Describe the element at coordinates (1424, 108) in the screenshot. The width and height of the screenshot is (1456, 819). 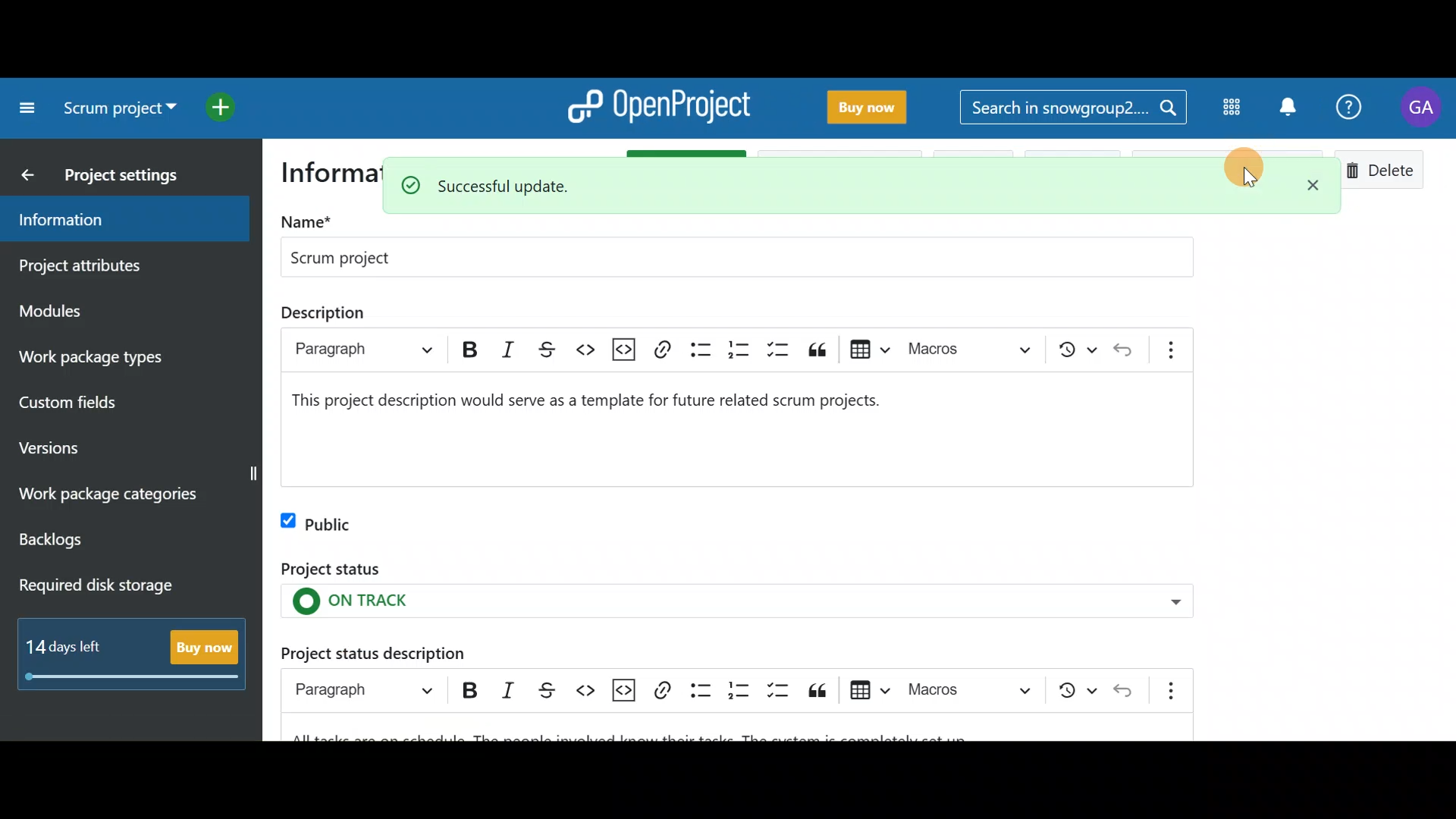
I see `Account name` at that location.